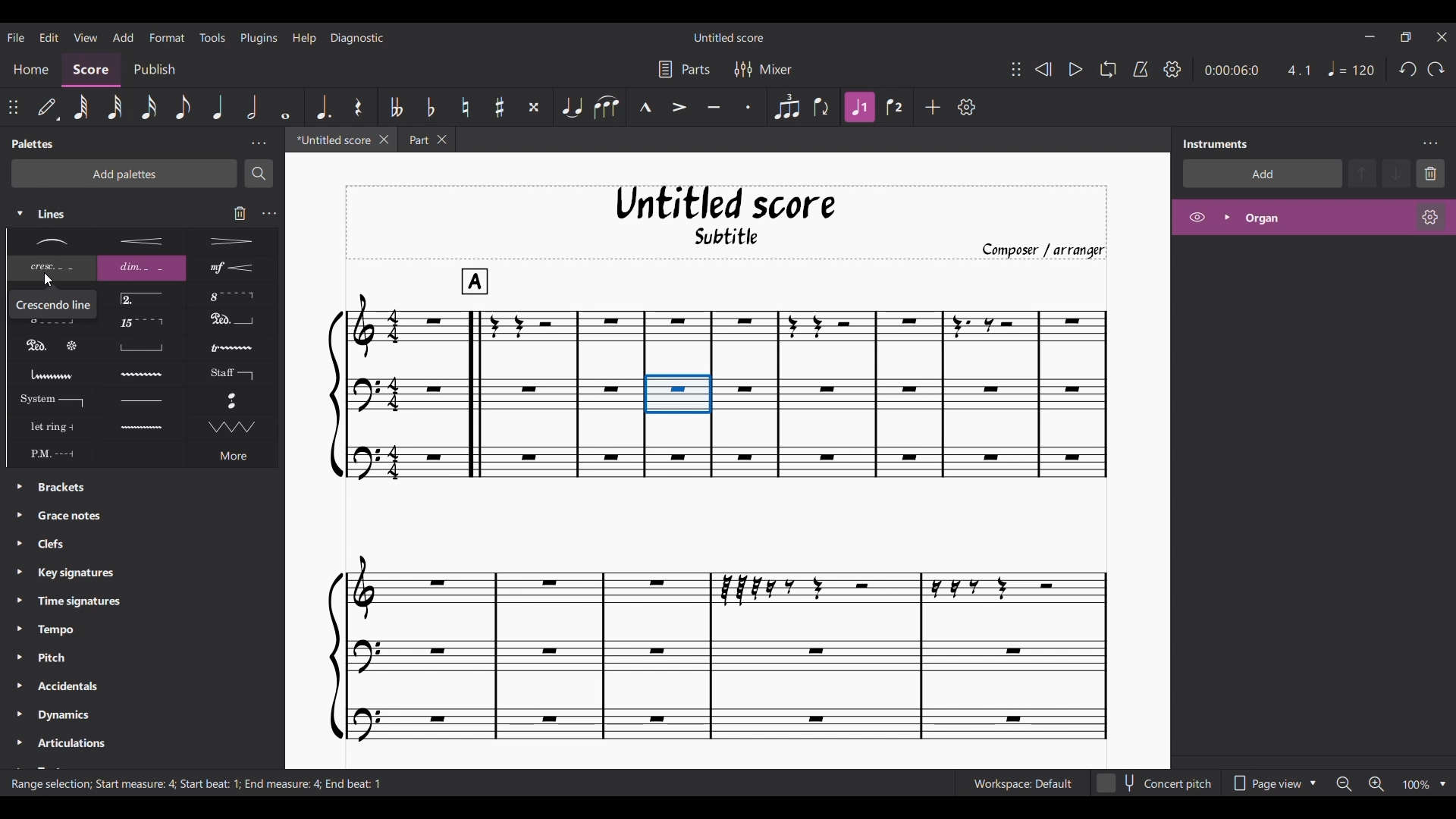 The height and width of the screenshot is (819, 1456). What do you see at coordinates (259, 144) in the screenshot?
I see `Panel settings` at bounding box center [259, 144].